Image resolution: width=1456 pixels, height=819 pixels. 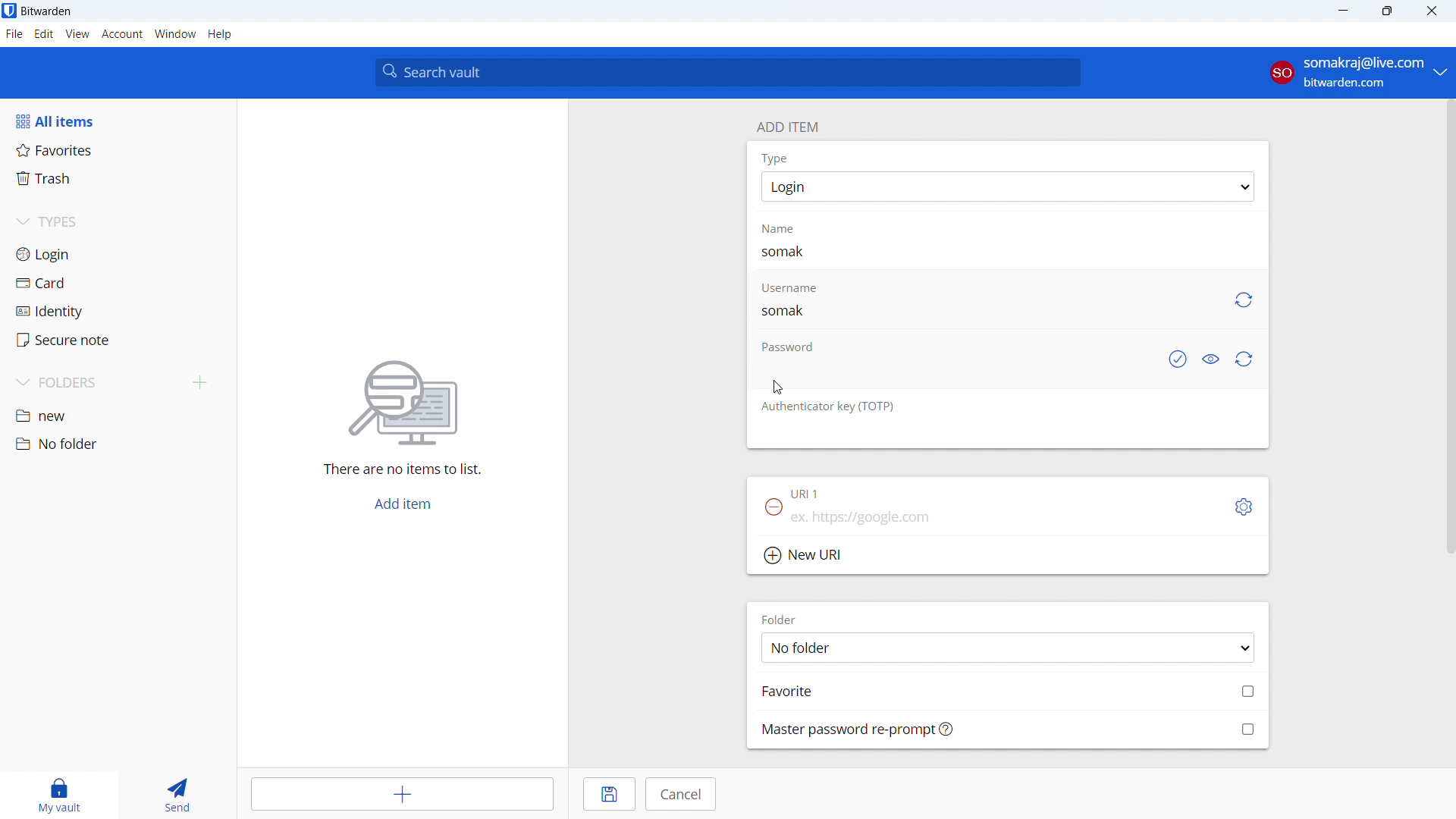 What do you see at coordinates (118, 312) in the screenshot?
I see `identity` at bounding box center [118, 312].